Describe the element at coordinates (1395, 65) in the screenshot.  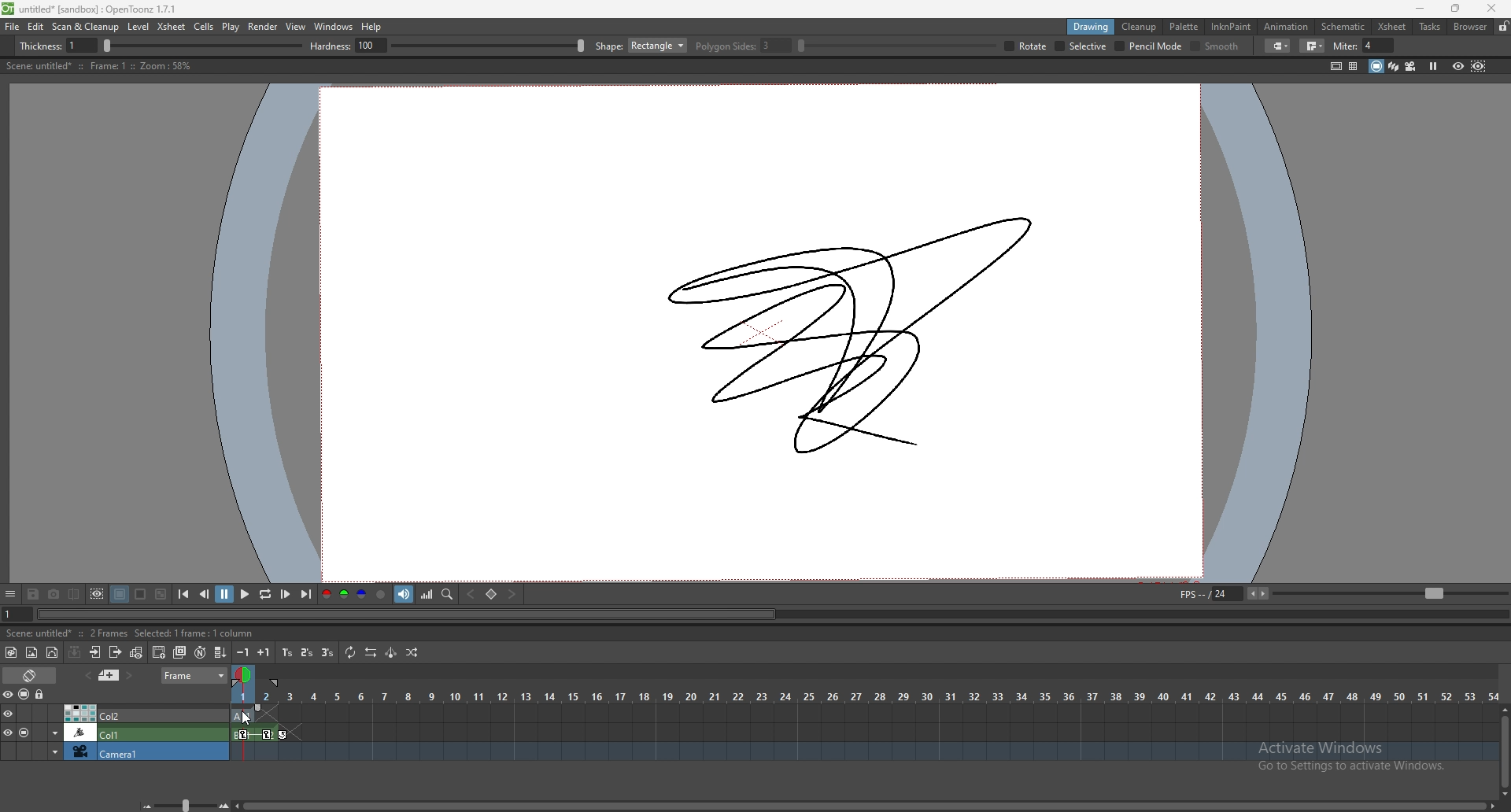
I see `3d view` at that location.